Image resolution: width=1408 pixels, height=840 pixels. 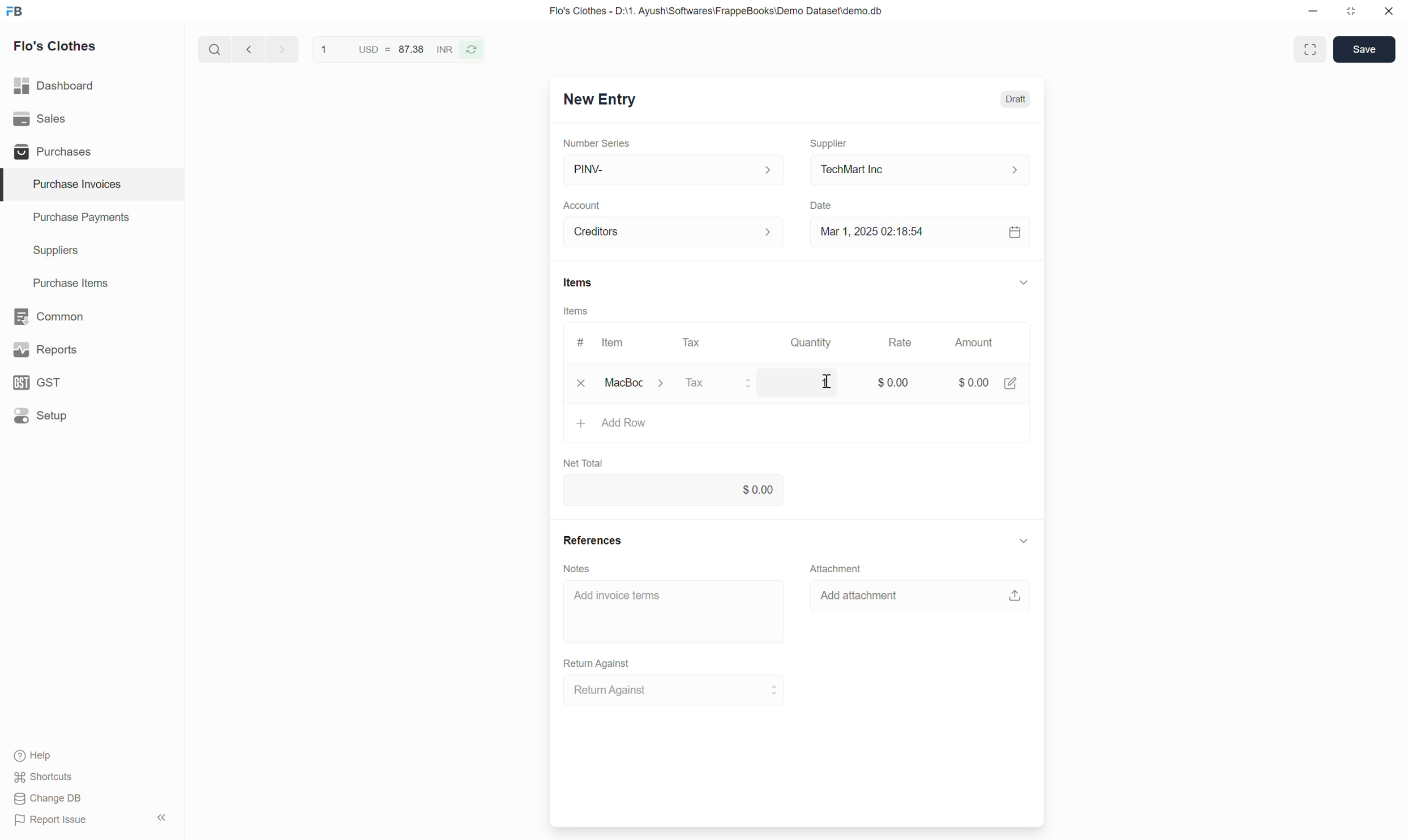 What do you see at coordinates (1313, 11) in the screenshot?
I see `Minimize` at bounding box center [1313, 11].